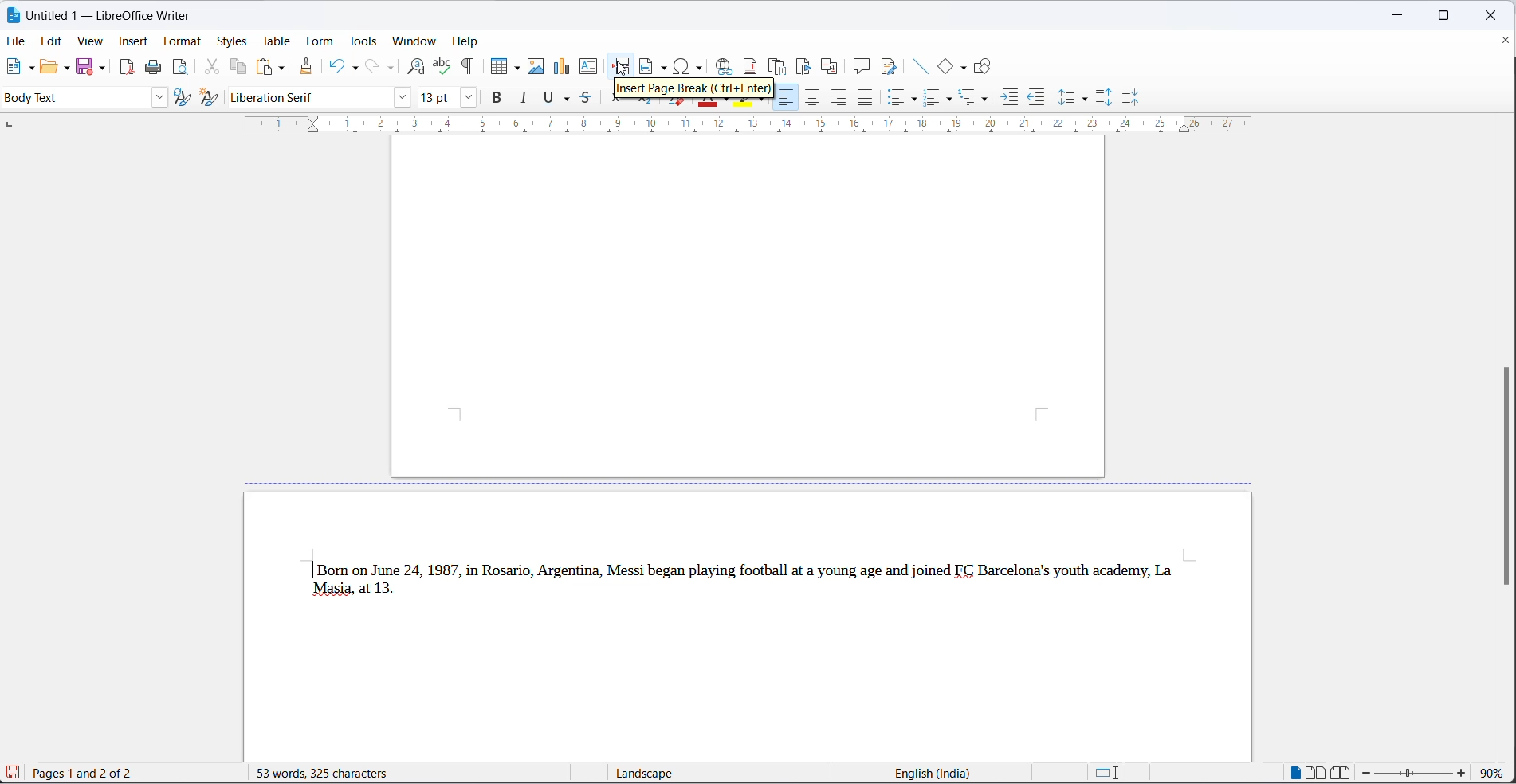  Describe the element at coordinates (401, 99) in the screenshot. I see `font name options` at that location.